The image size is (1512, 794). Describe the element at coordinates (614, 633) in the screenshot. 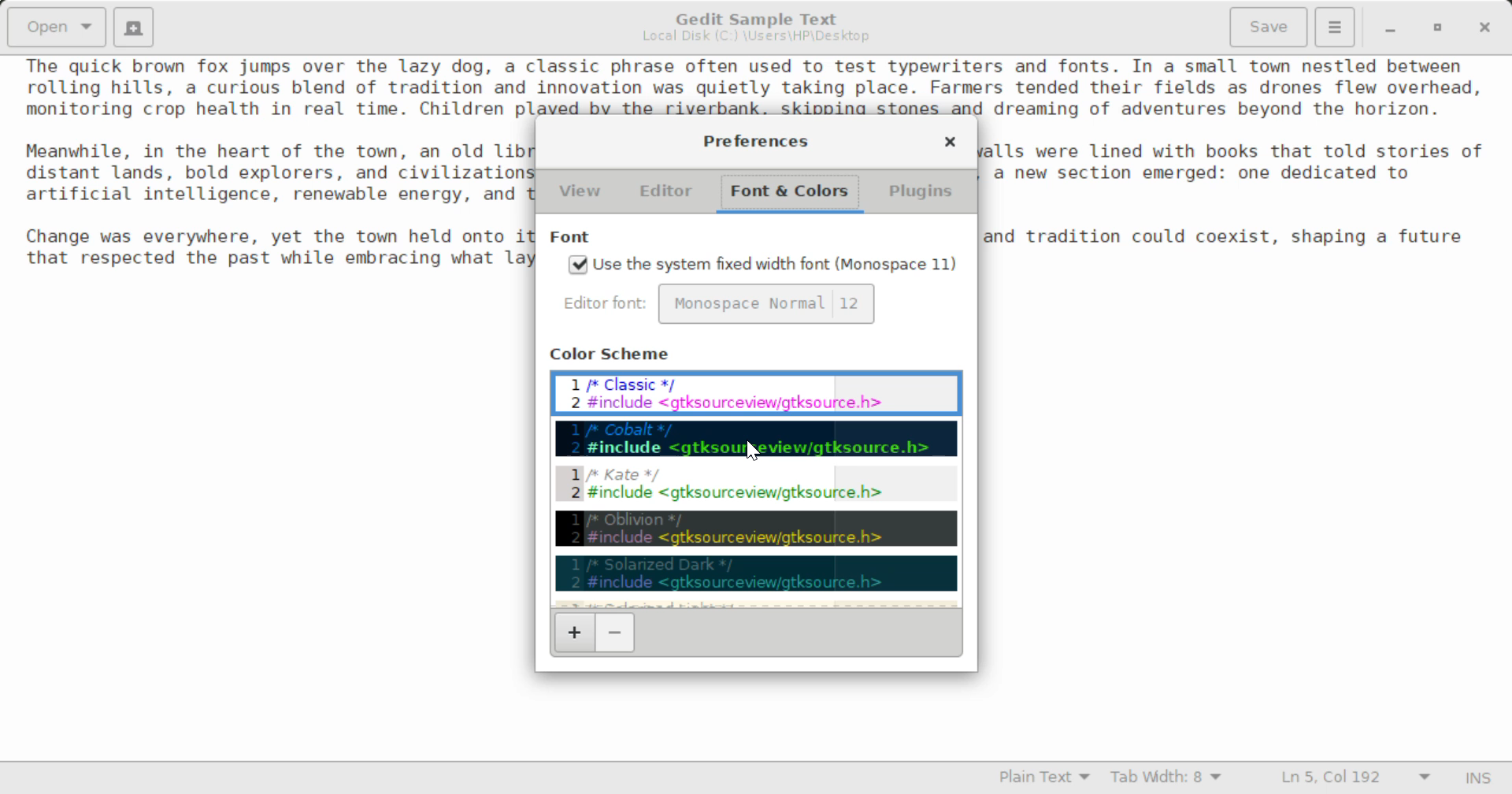

I see `Remove Scheme` at that location.